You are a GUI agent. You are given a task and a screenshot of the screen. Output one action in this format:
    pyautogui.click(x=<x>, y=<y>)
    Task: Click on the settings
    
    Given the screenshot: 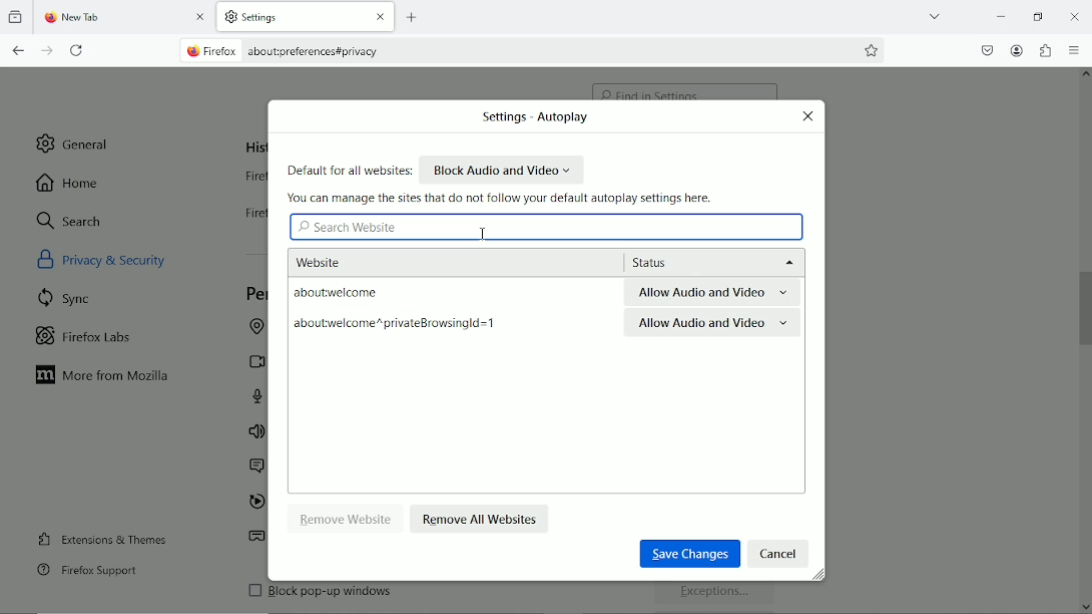 What is the action you would take?
    pyautogui.click(x=275, y=18)
    